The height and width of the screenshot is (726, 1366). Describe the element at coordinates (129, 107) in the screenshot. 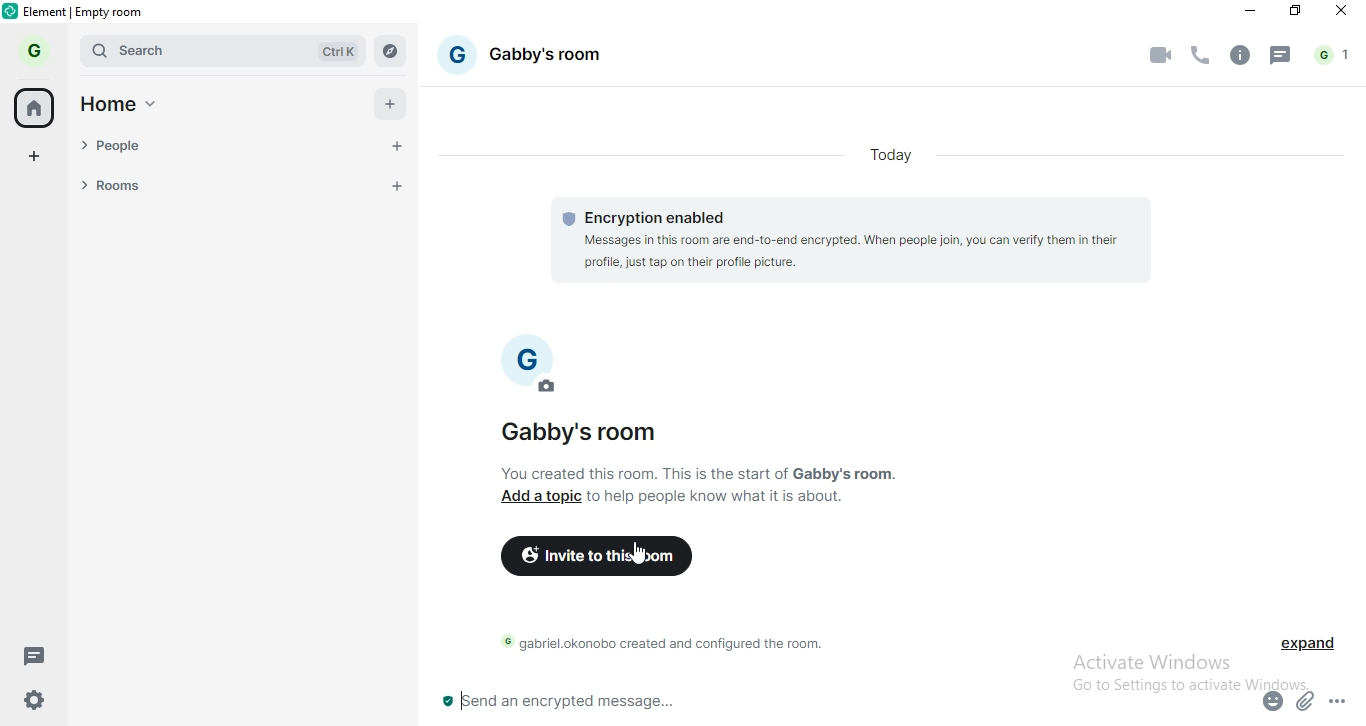

I see `home` at that location.